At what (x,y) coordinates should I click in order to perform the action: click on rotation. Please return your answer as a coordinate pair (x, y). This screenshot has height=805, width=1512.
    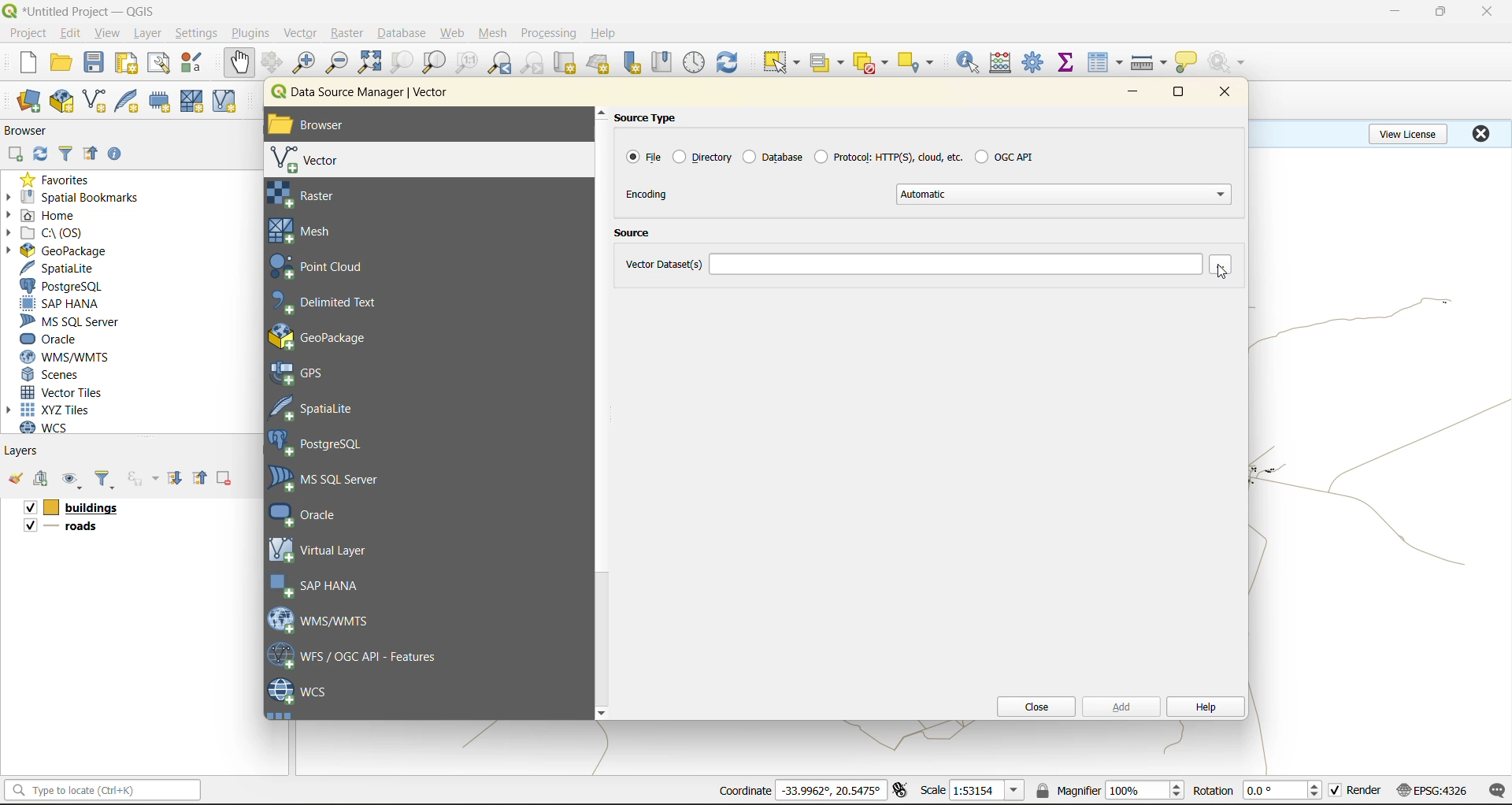
    Looking at the image, I should click on (1213, 791).